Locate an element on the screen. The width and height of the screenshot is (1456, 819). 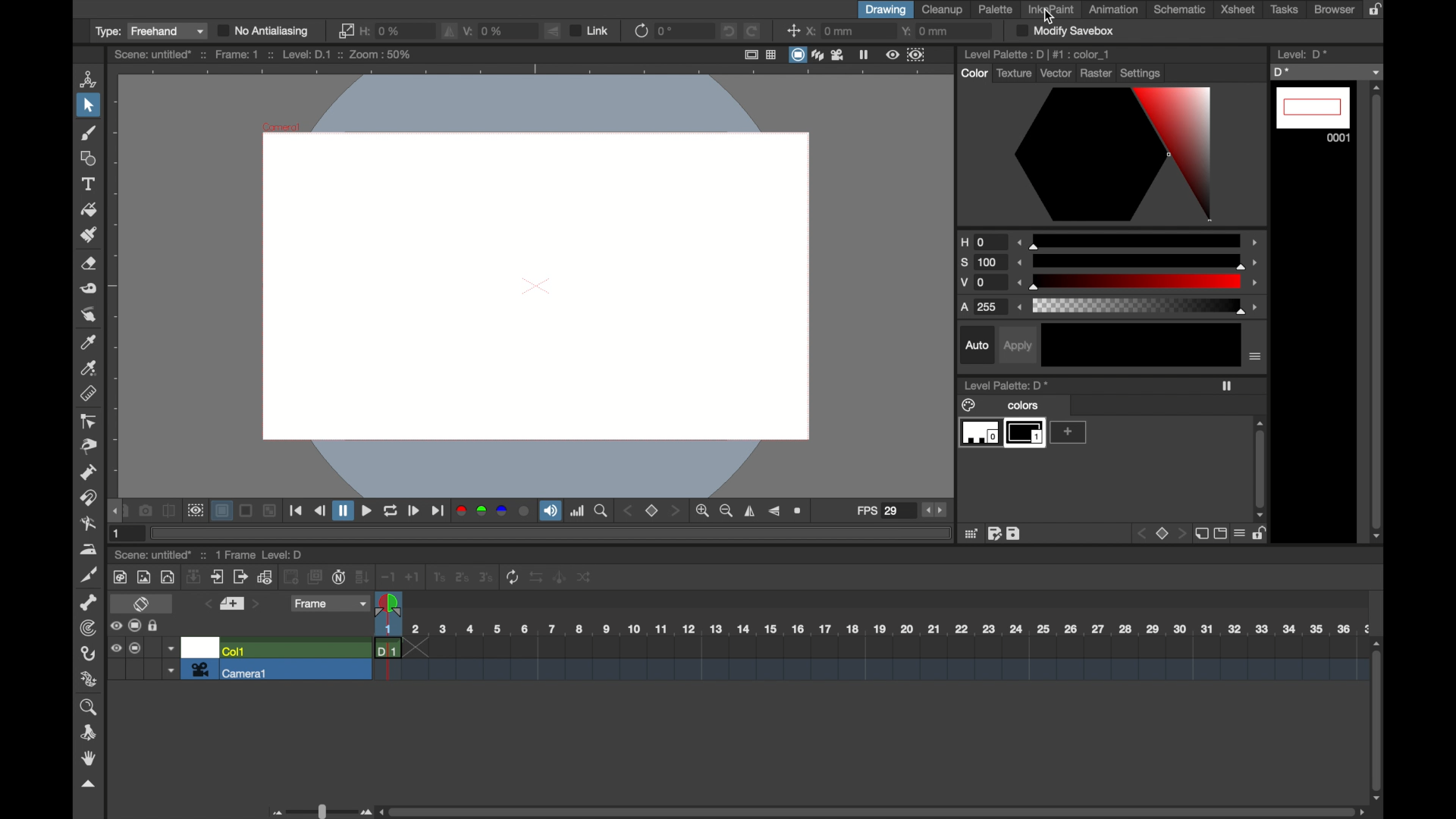
cuttertool is located at coordinates (90, 575).